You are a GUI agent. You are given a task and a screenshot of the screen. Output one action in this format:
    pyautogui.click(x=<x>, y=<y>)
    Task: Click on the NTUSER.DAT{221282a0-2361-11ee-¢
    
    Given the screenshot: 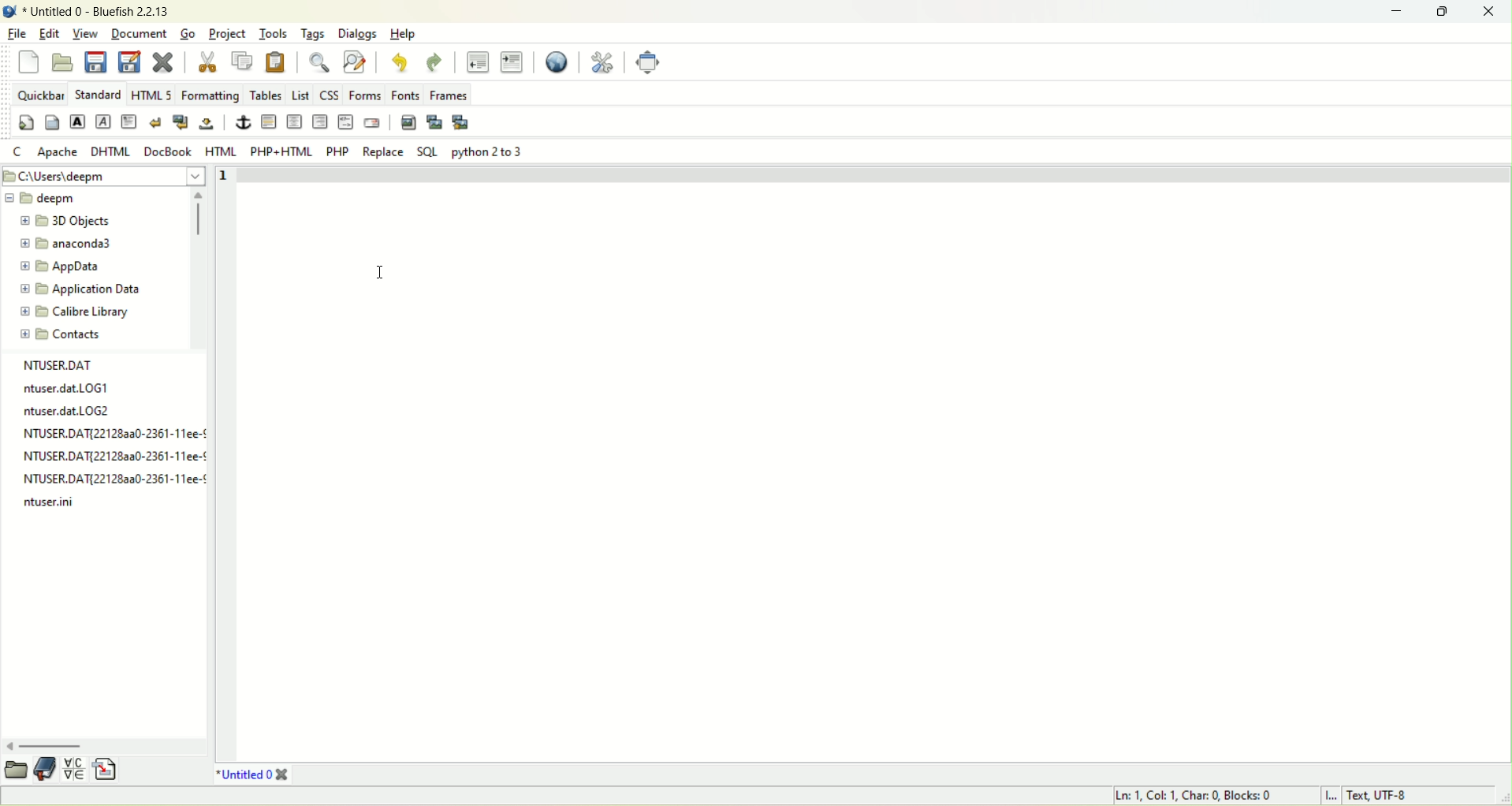 What is the action you would take?
    pyautogui.click(x=110, y=478)
    